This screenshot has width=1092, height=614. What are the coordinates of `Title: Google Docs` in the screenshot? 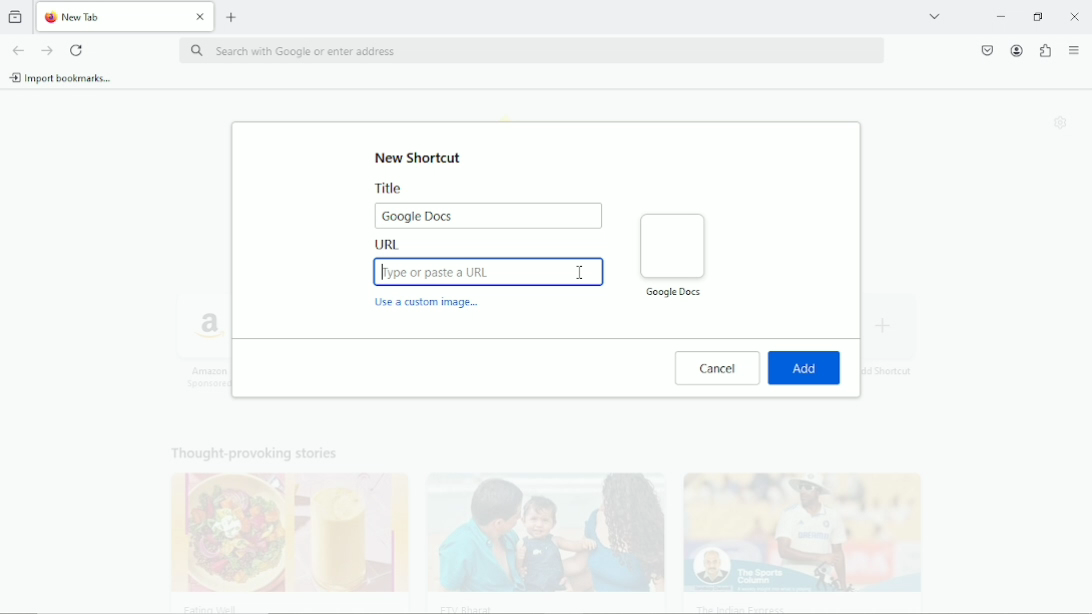 It's located at (488, 205).